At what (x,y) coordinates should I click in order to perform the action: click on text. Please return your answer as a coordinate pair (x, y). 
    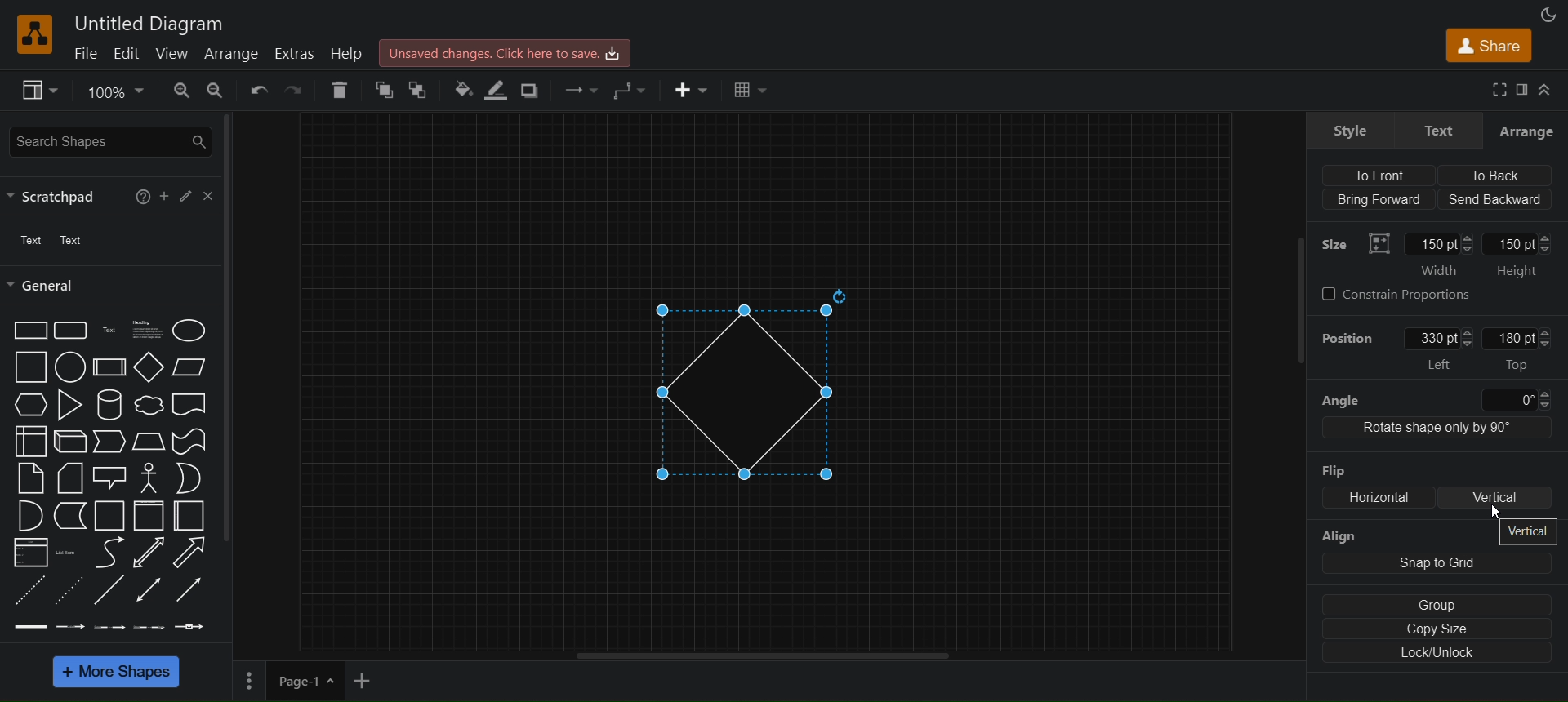
    Looking at the image, I should click on (61, 242).